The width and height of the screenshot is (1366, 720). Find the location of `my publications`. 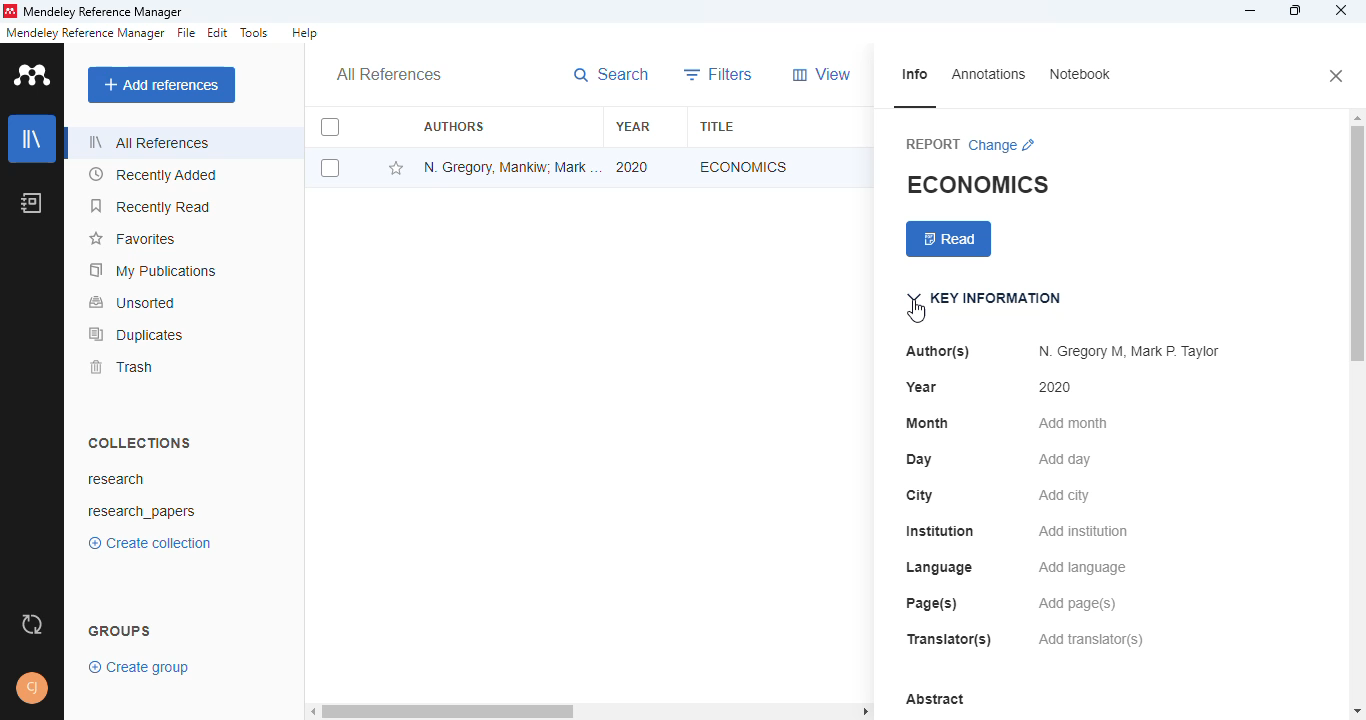

my publications is located at coordinates (153, 271).